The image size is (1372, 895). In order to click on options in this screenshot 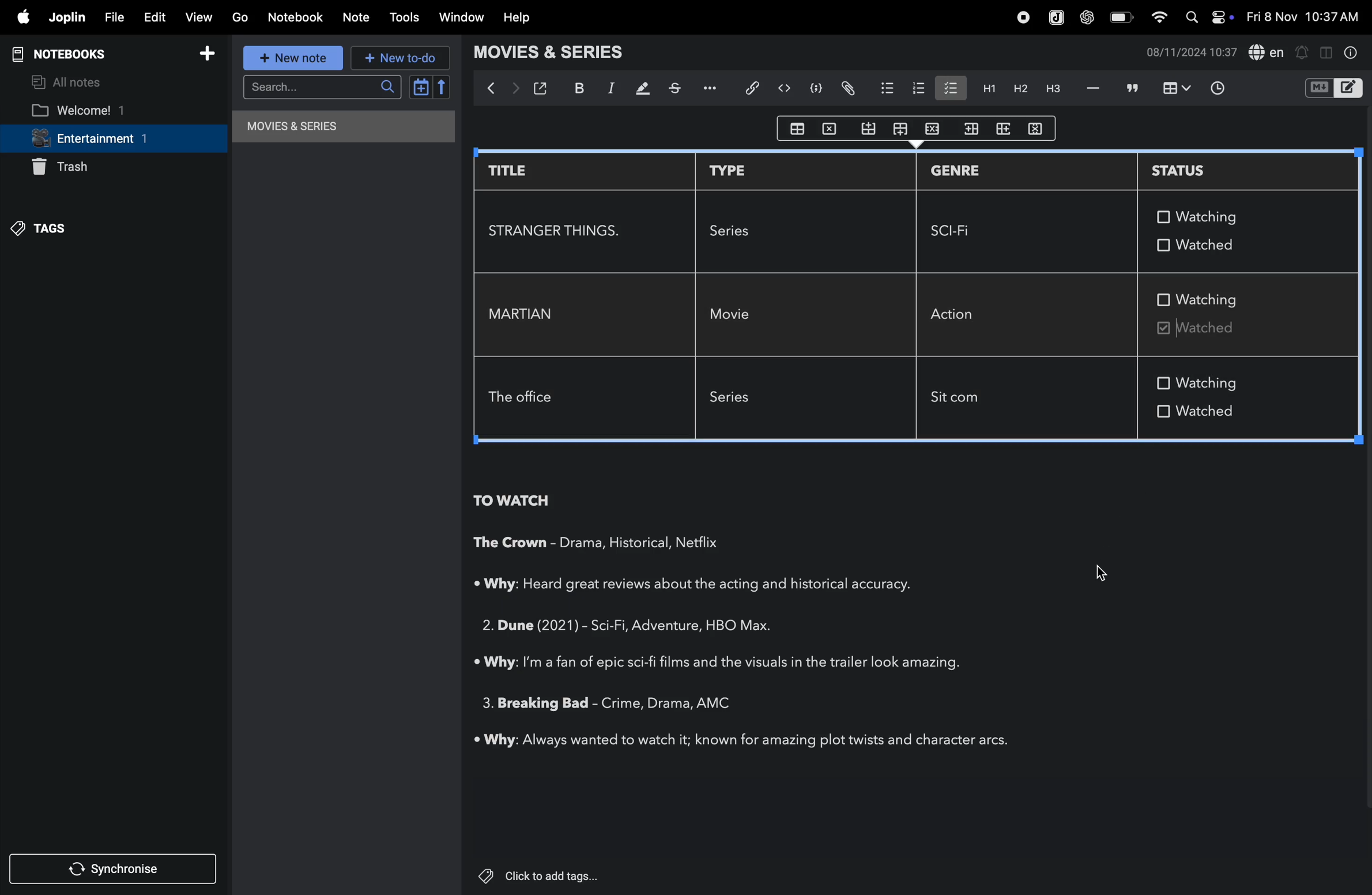, I will do `click(715, 87)`.